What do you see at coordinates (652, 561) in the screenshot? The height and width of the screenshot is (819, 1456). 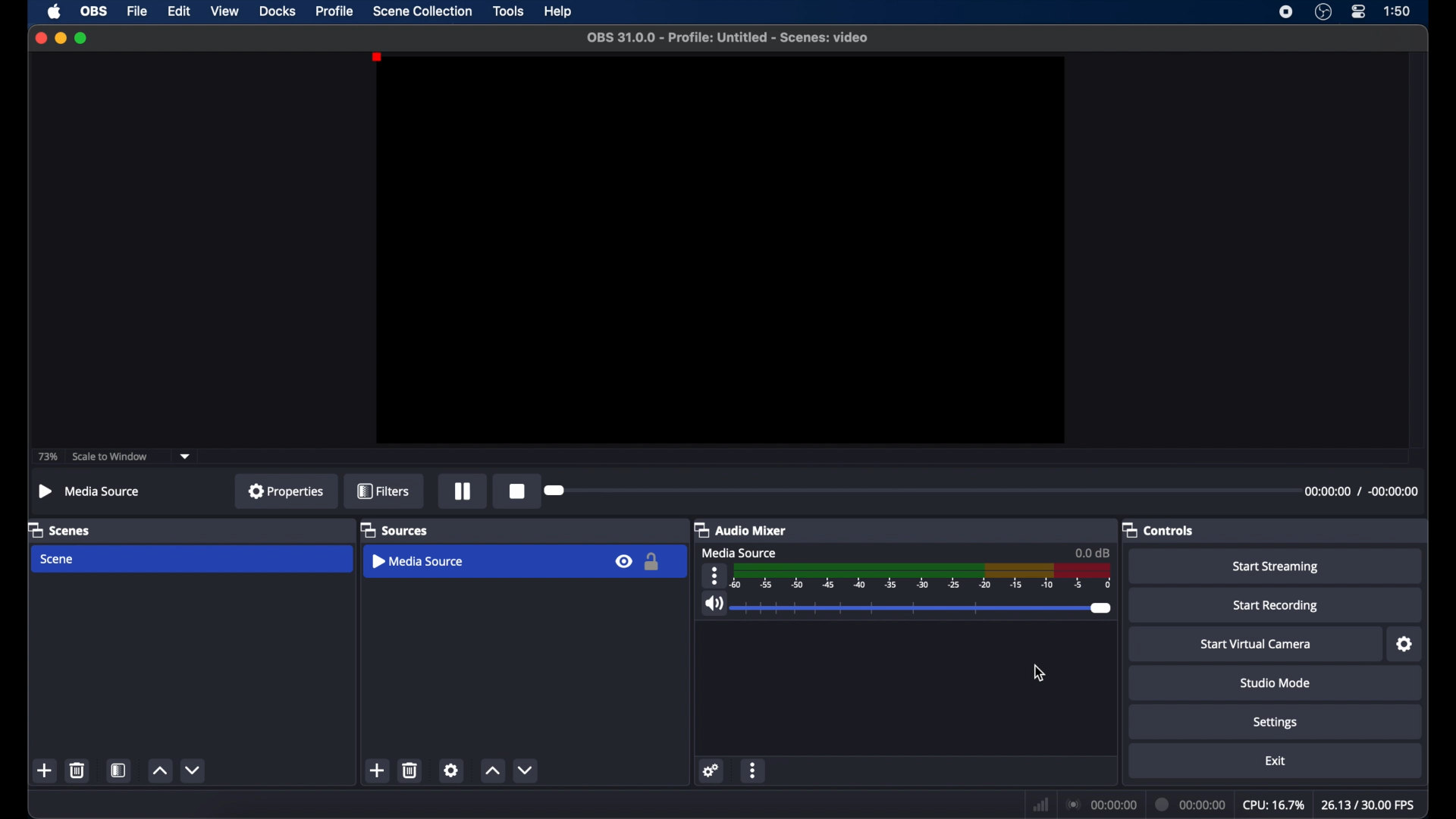 I see `lock icon` at bounding box center [652, 561].